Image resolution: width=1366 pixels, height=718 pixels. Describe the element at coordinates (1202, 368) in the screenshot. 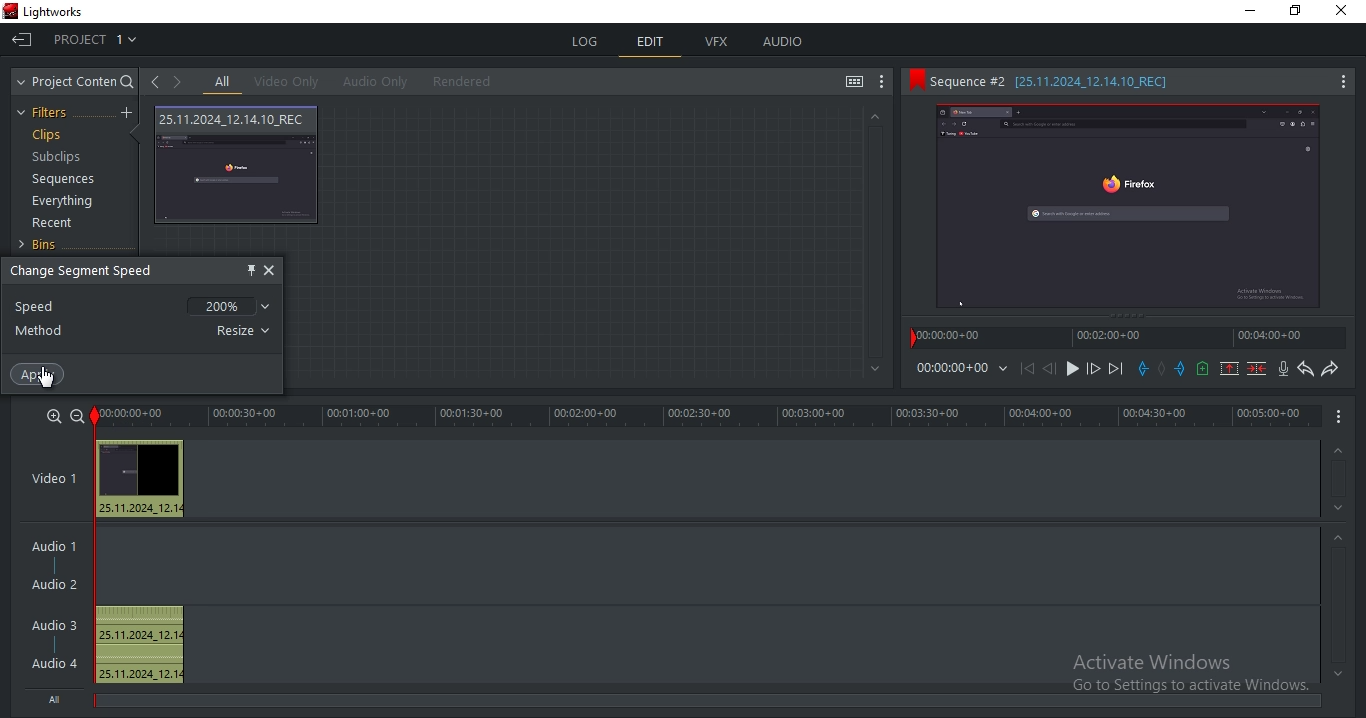

I see `add a cue at the current position` at that location.